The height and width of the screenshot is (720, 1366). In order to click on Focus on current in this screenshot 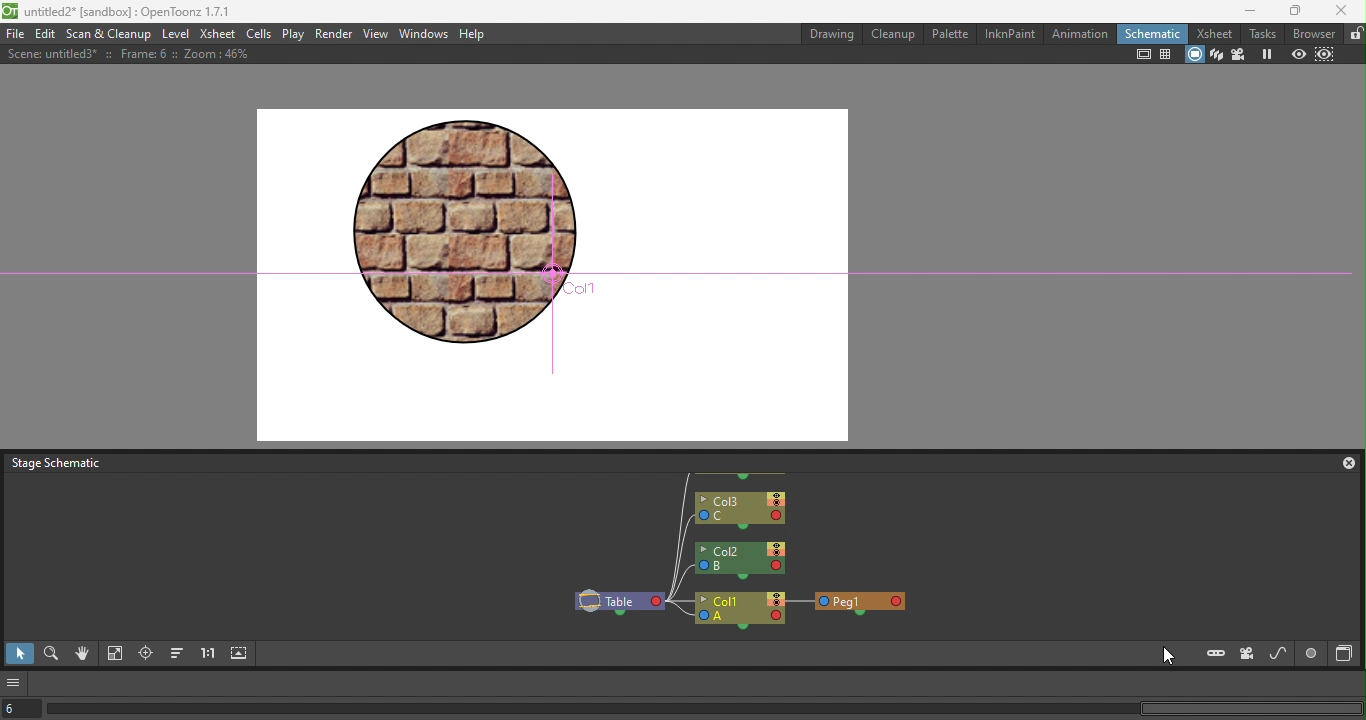, I will do `click(145, 655)`.